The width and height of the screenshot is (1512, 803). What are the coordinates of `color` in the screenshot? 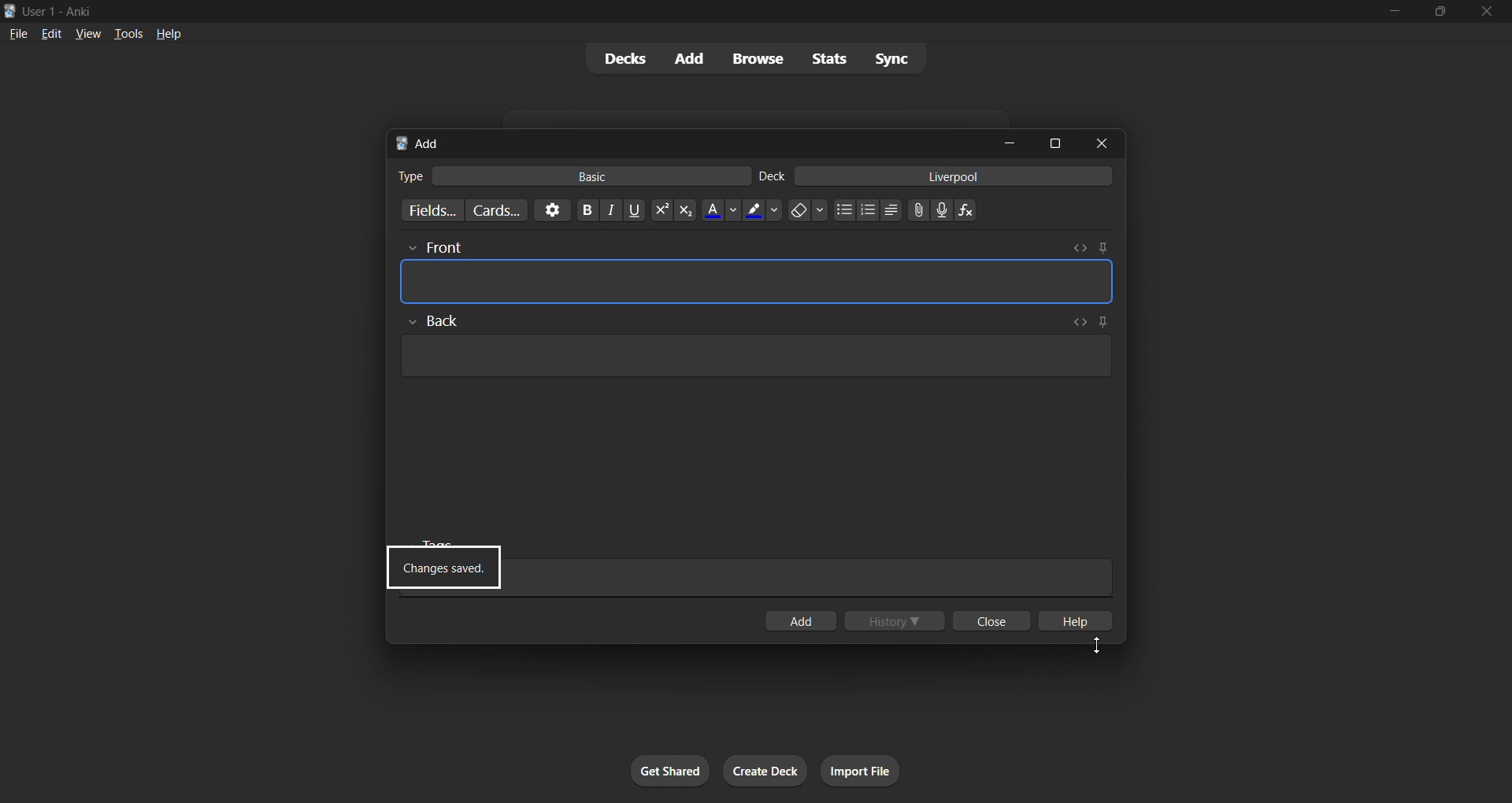 It's located at (759, 211).